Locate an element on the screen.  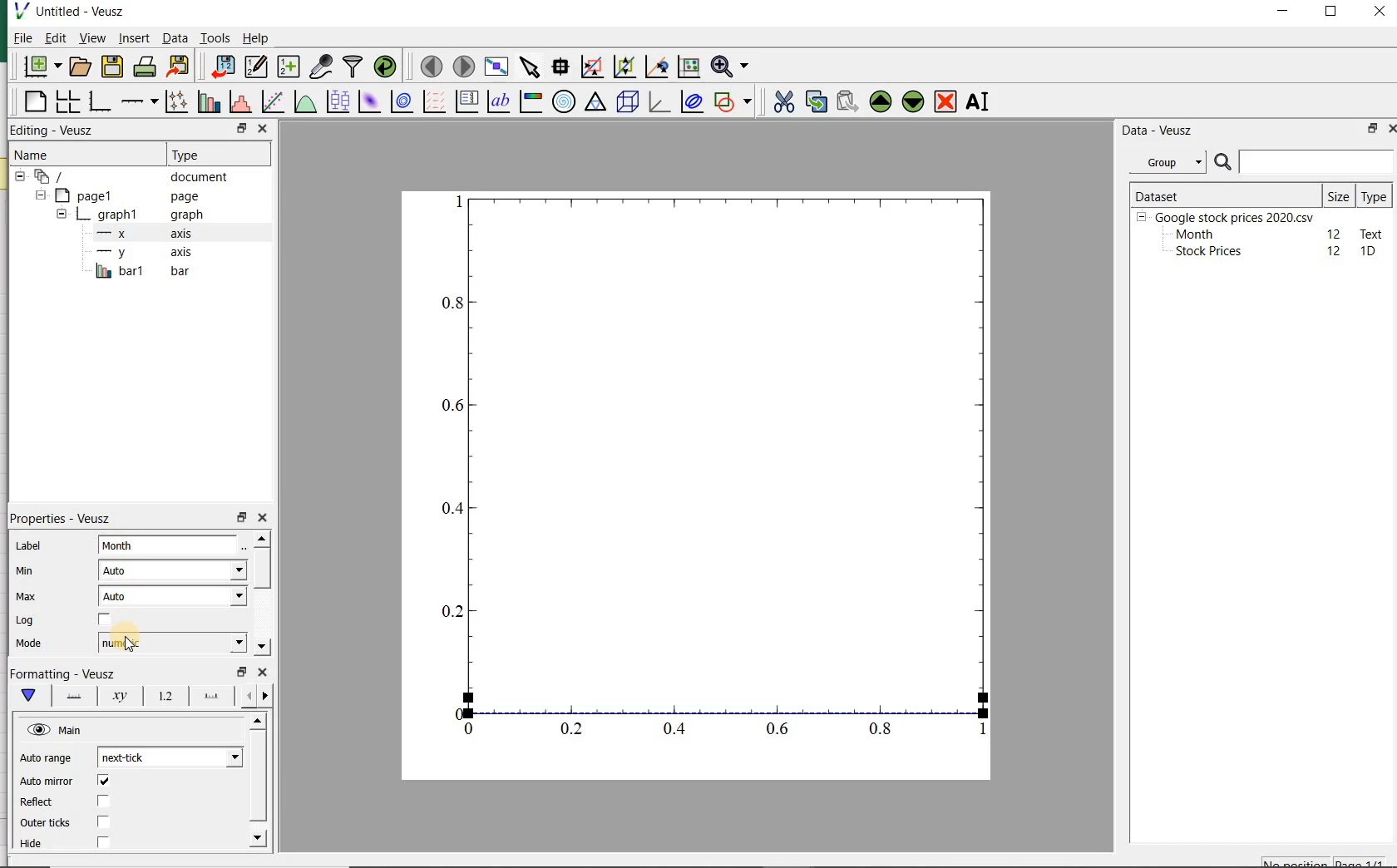
check/uncheck is located at coordinates (103, 821).